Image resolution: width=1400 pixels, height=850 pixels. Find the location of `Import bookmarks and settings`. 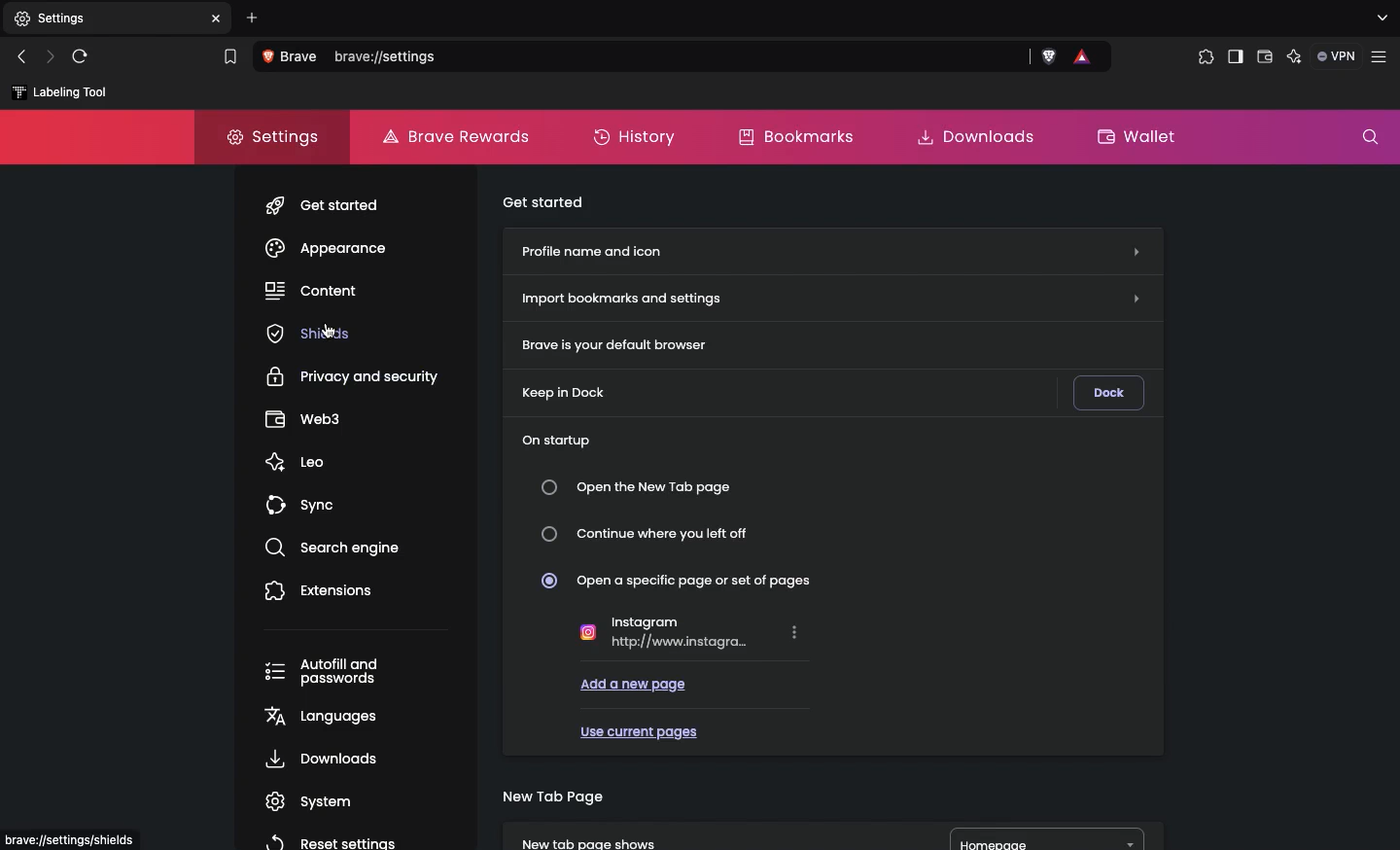

Import bookmarks and settings is located at coordinates (829, 300).